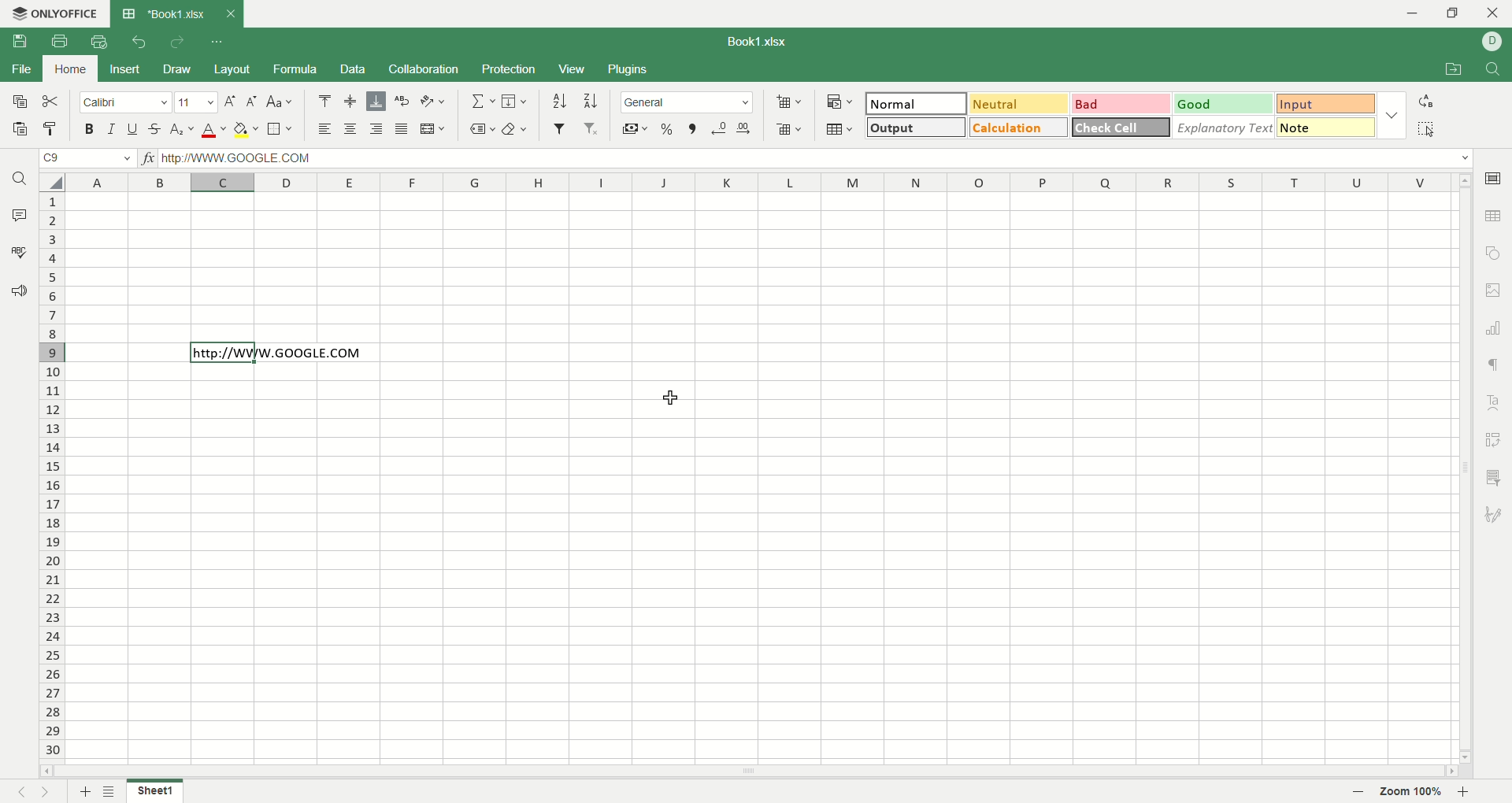 The width and height of the screenshot is (1512, 803). I want to click on find, so click(19, 177).